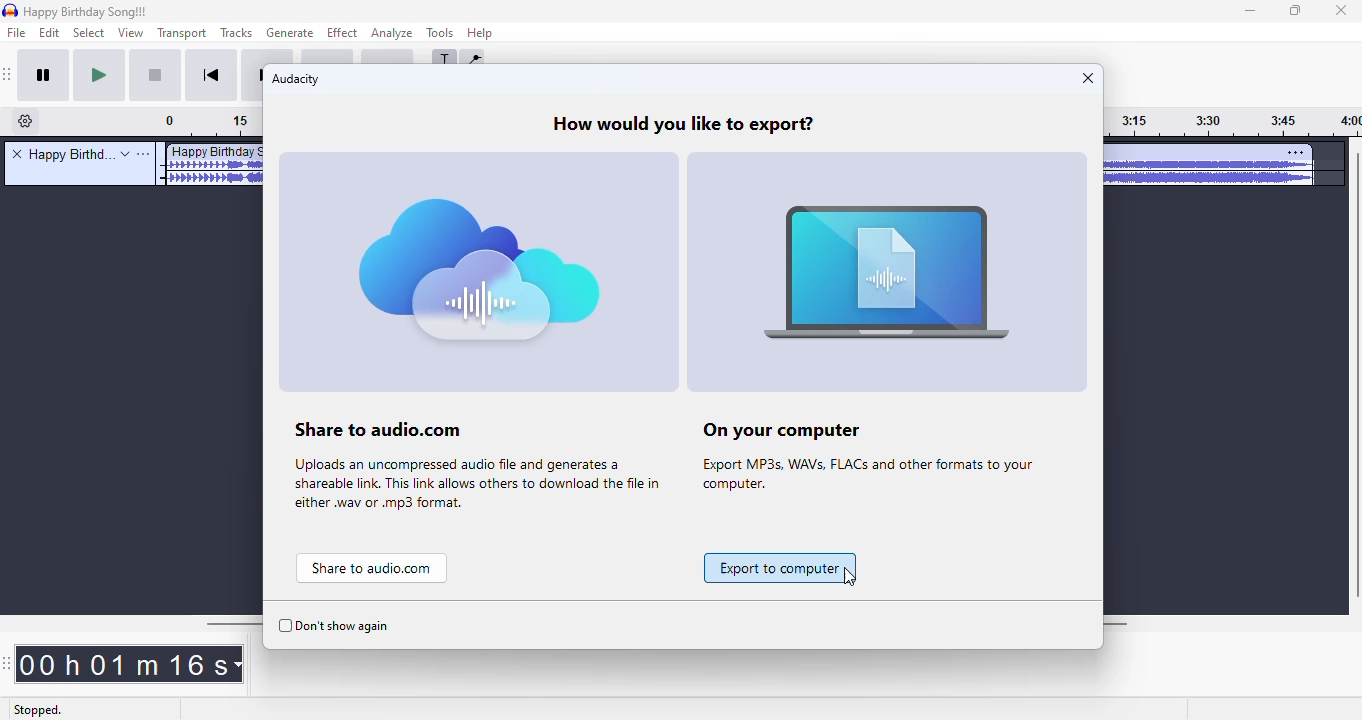  What do you see at coordinates (231, 623) in the screenshot?
I see `horizontal scroll bar` at bounding box center [231, 623].